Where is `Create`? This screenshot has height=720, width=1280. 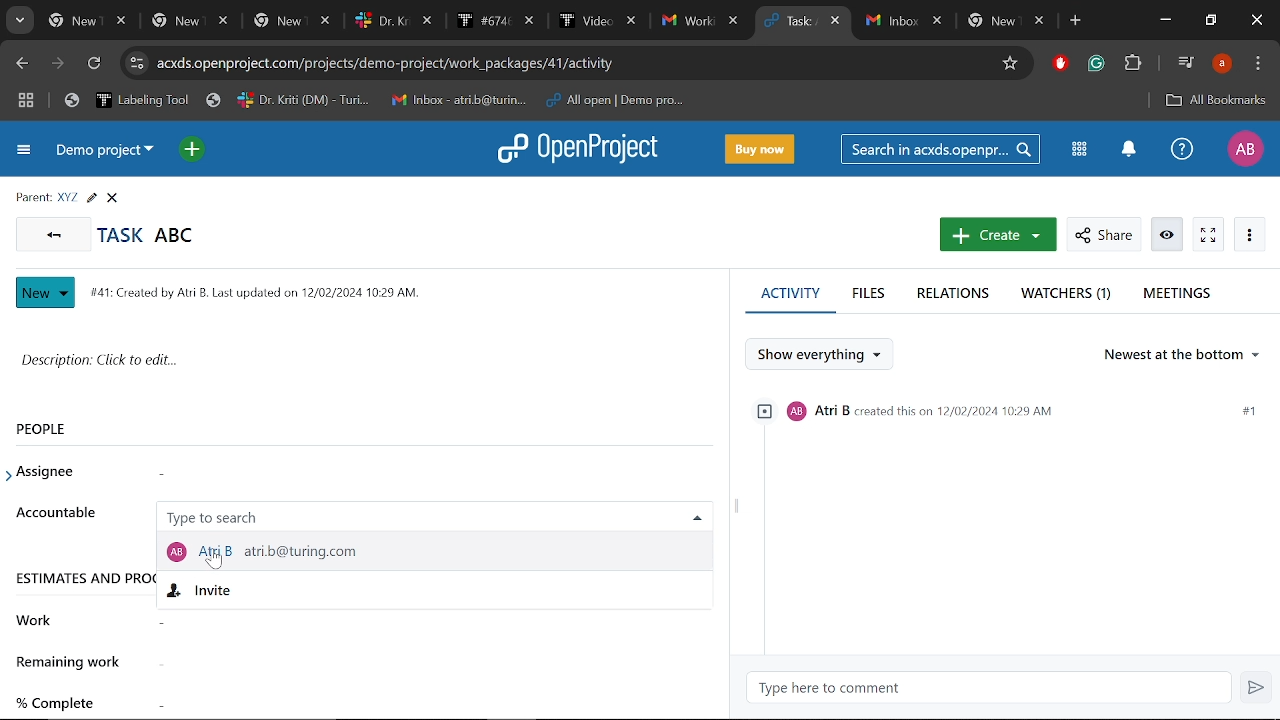 Create is located at coordinates (998, 235).